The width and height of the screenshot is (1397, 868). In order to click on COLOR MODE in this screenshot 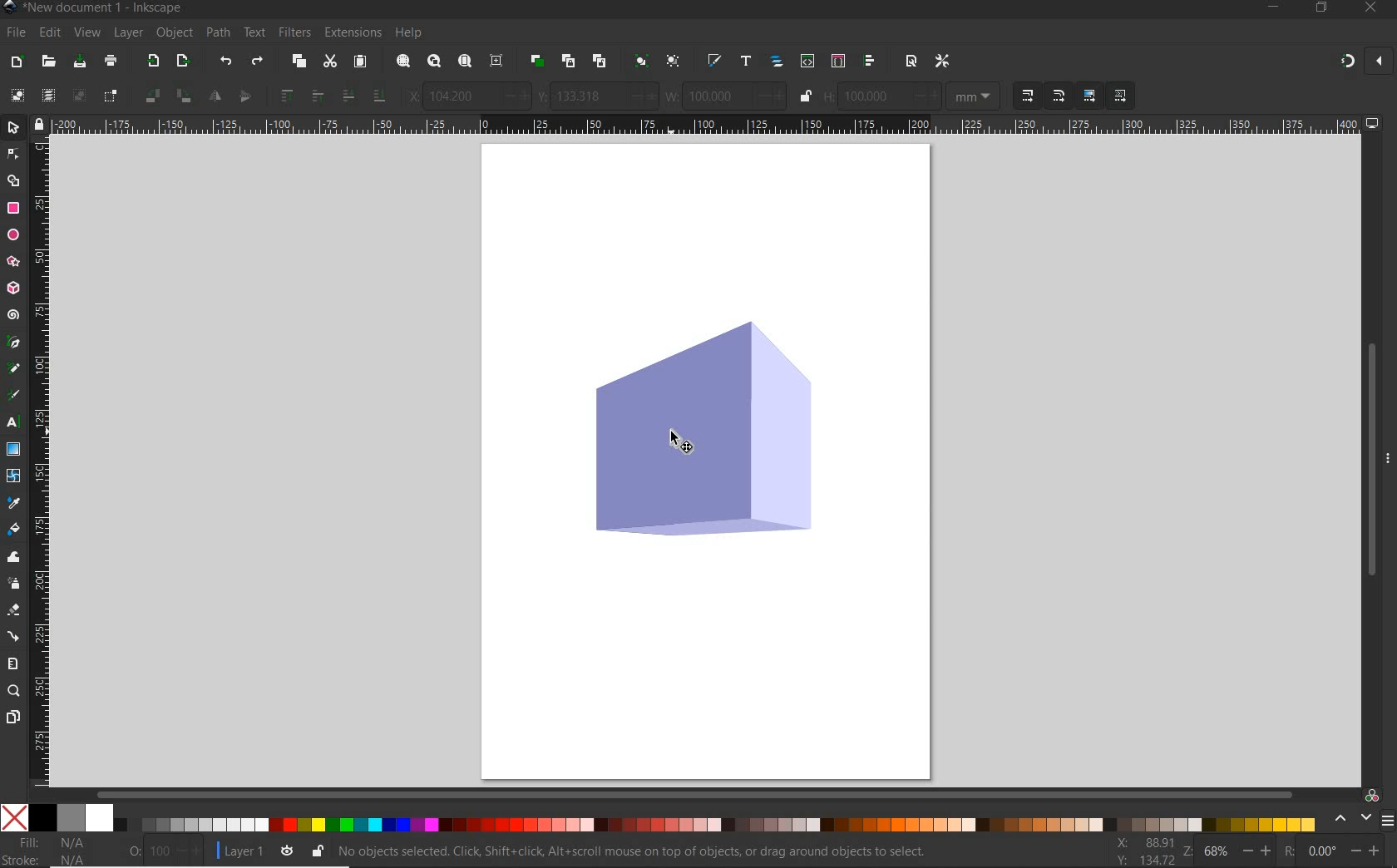, I will do `click(659, 818)`.